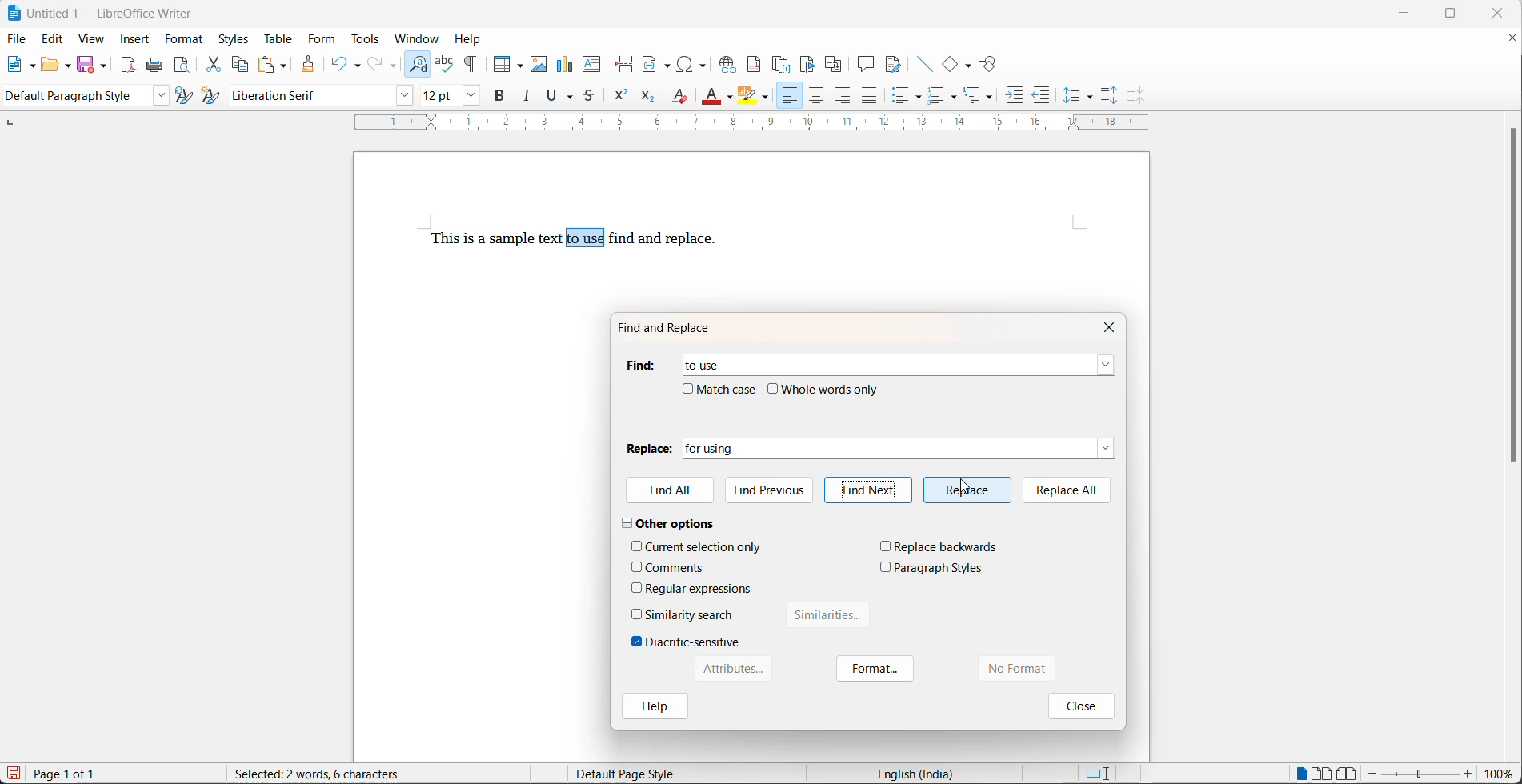 The height and width of the screenshot is (784, 1522). What do you see at coordinates (530, 98) in the screenshot?
I see `italic` at bounding box center [530, 98].